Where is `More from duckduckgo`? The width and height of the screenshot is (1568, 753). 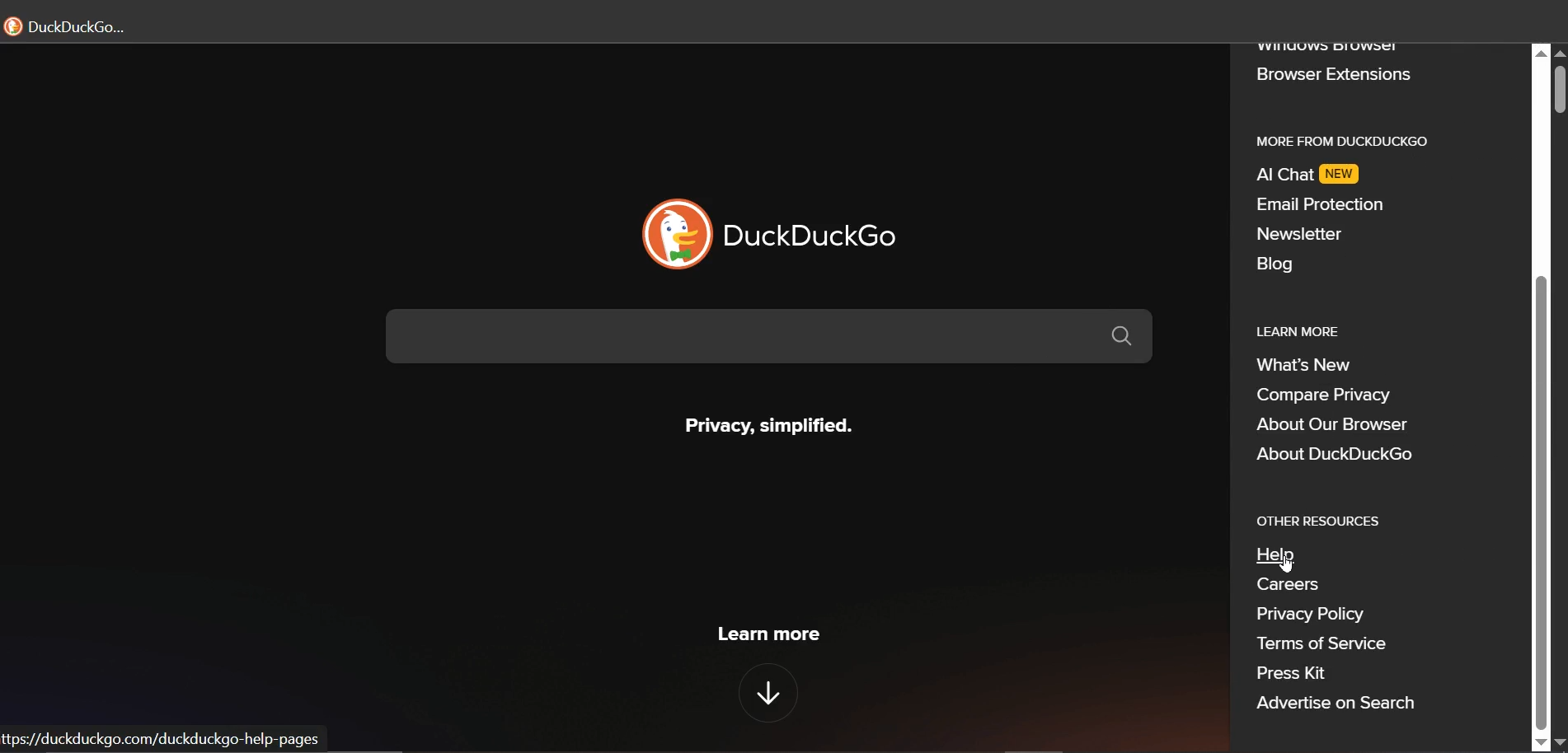 More from duckduckgo is located at coordinates (1353, 140).